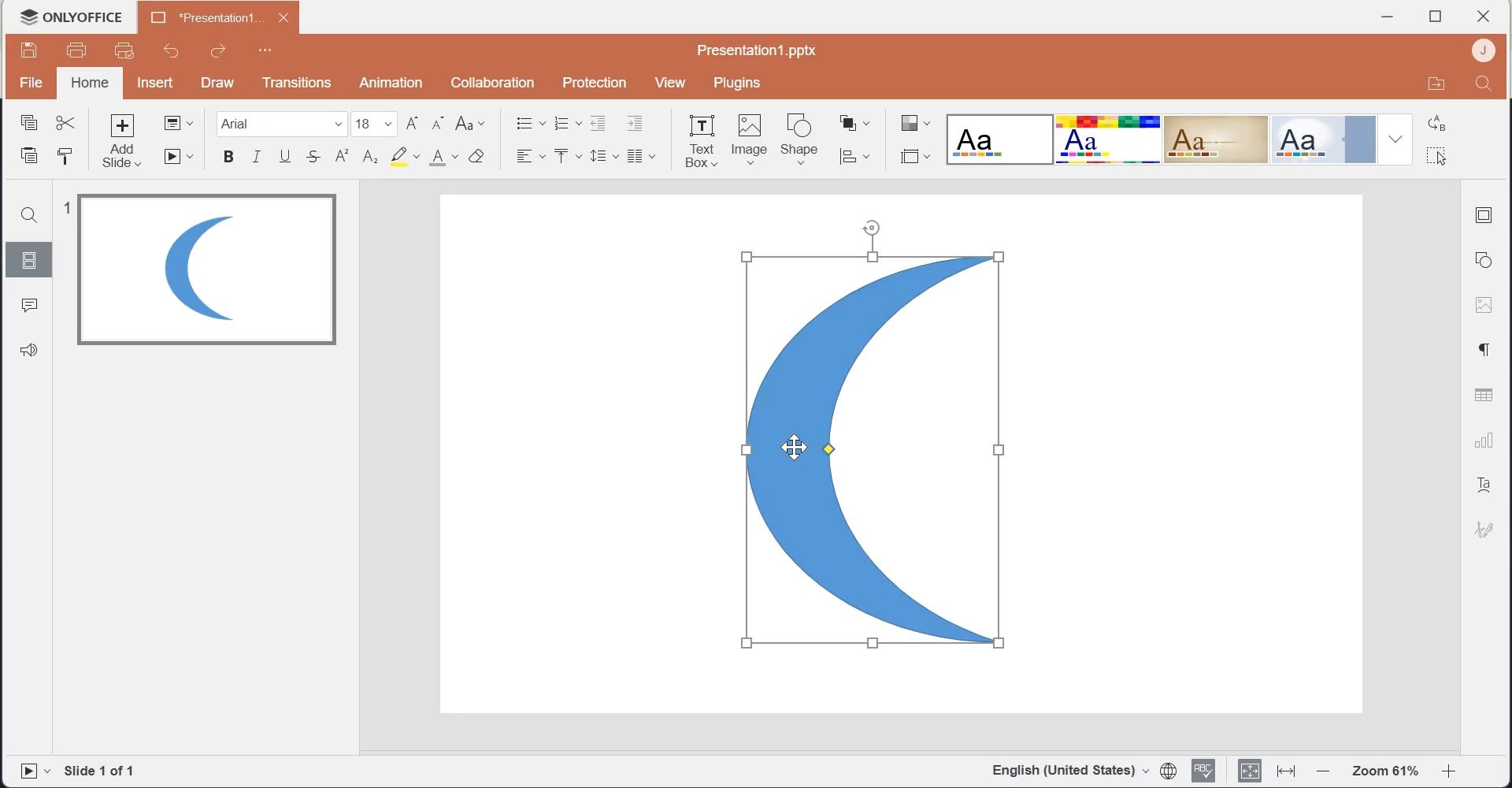  What do you see at coordinates (444, 156) in the screenshot?
I see `Font color` at bounding box center [444, 156].